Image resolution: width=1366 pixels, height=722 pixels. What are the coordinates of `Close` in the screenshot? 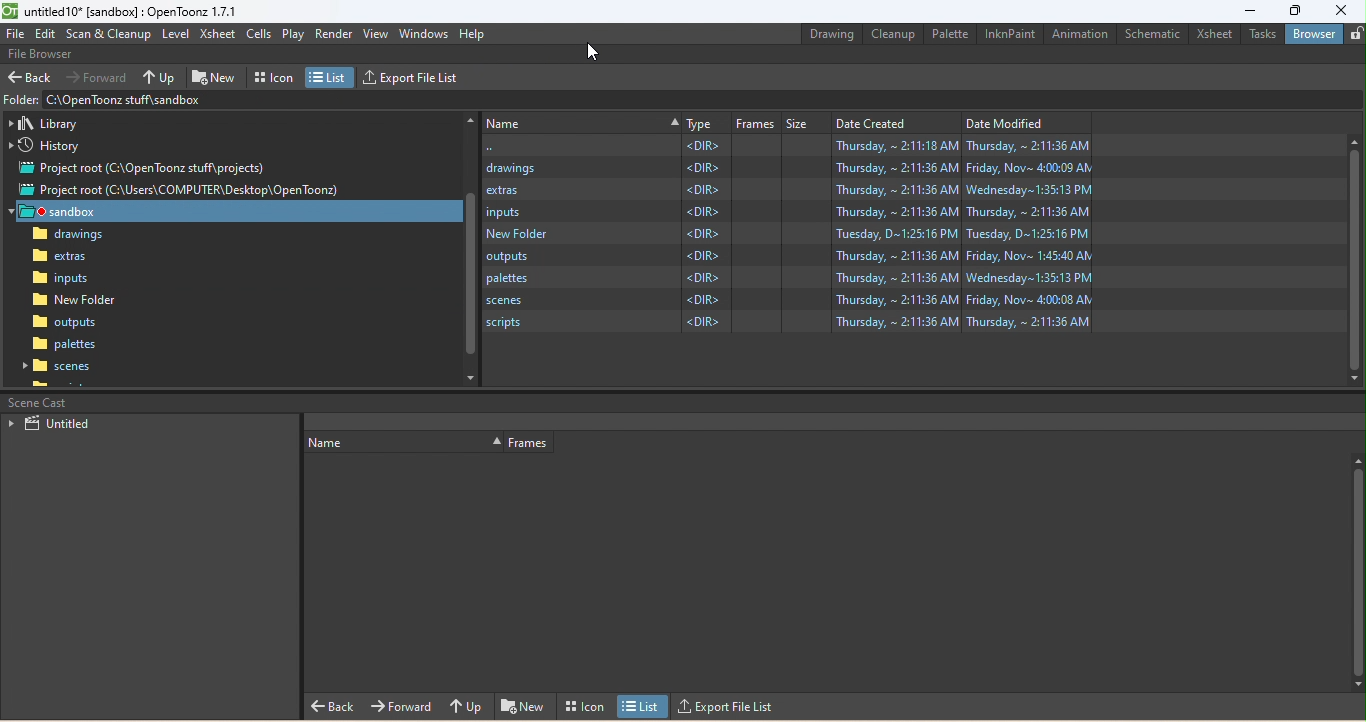 It's located at (1344, 10).